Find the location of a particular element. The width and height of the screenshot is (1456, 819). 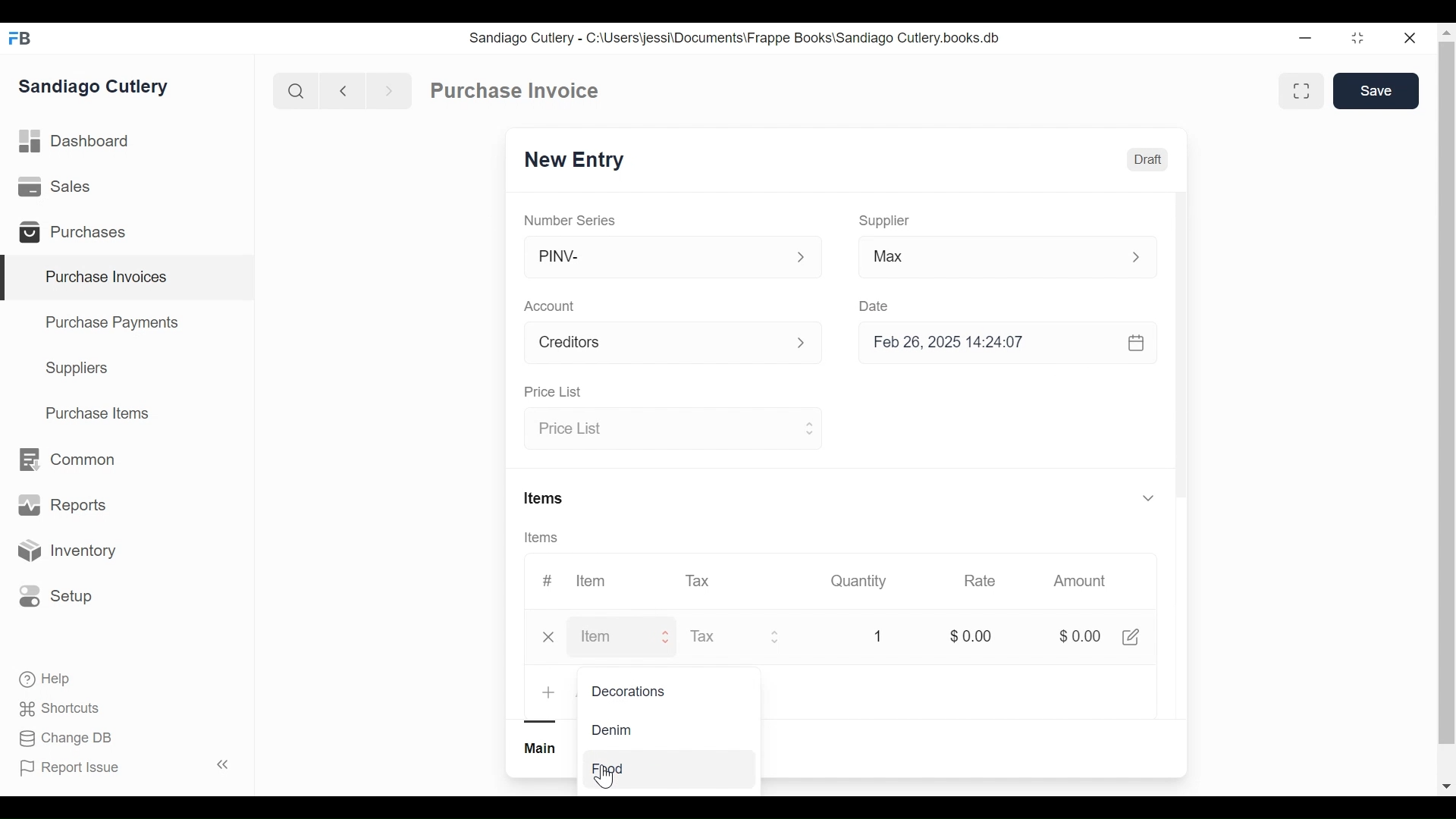

Report Issue is located at coordinates (124, 767).